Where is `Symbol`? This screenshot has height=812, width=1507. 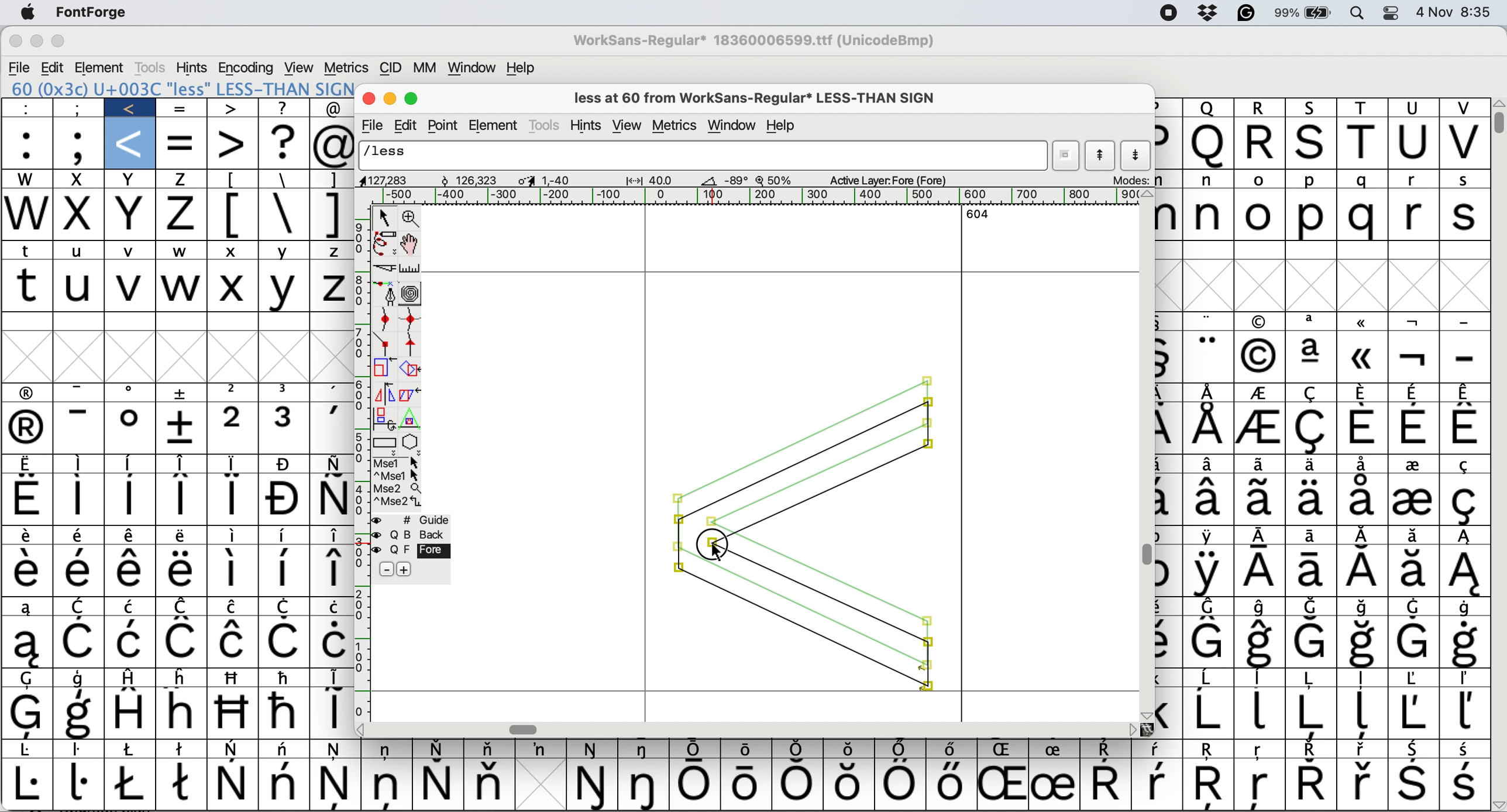
Symbol is located at coordinates (1310, 678).